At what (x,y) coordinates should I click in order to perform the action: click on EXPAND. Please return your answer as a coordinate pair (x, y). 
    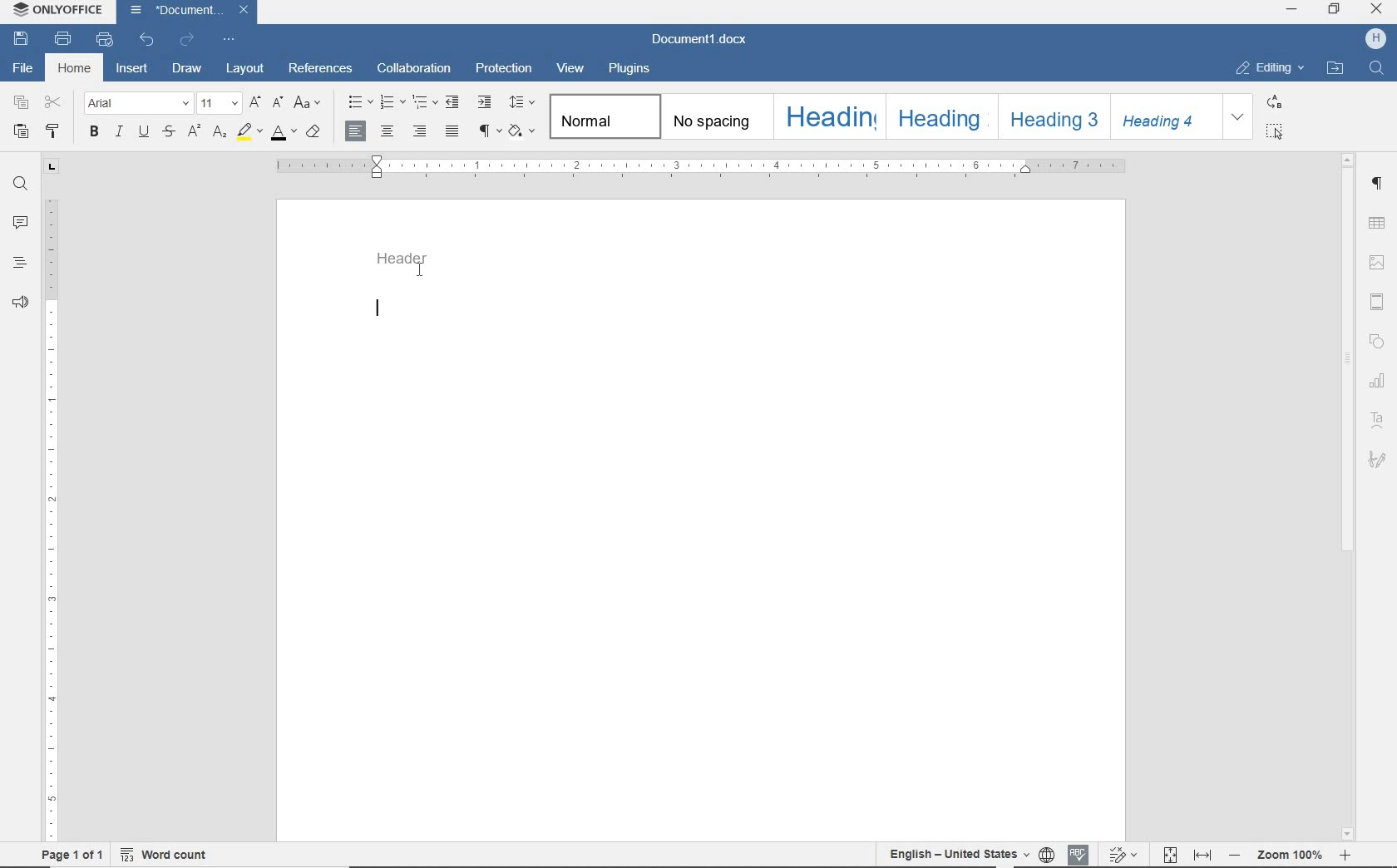
    Looking at the image, I should click on (1239, 118).